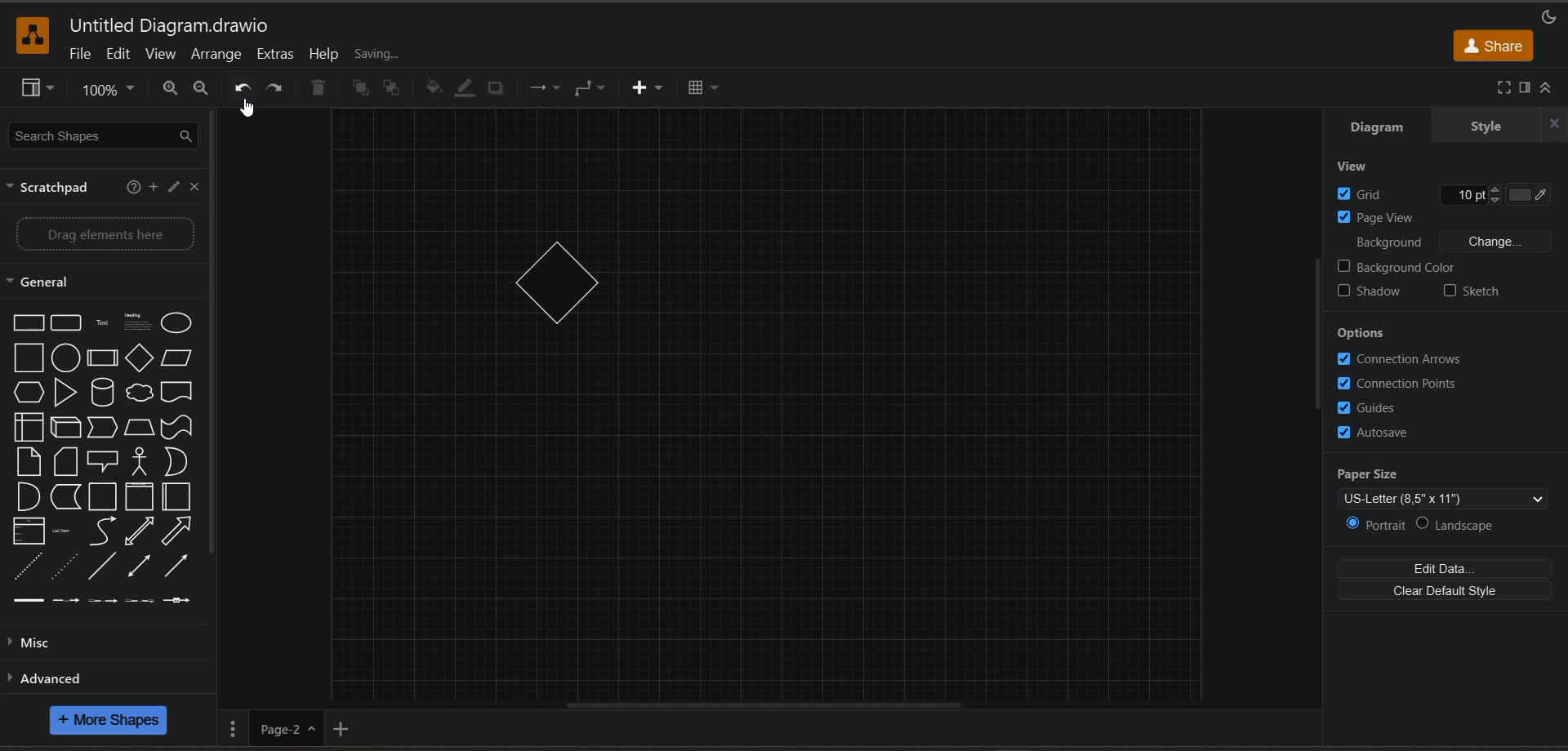 The height and width of the screenshot is (751, 1568). What do you see at coordinates (65, 357) in the screenshot?
I see `Circle` at bounding box center [65, 357].